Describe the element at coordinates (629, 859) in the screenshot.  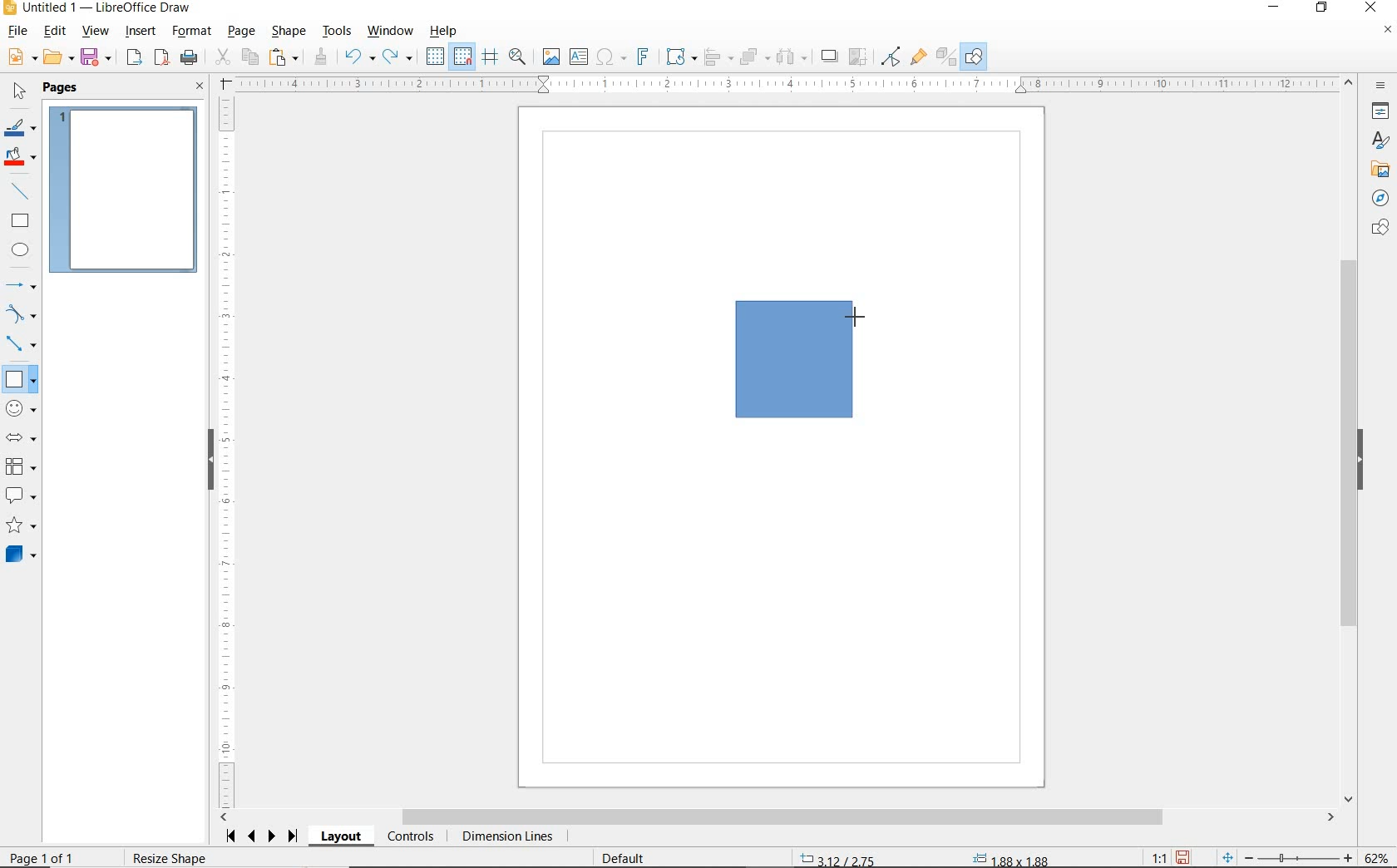
I see `DEFAULT` at that location.